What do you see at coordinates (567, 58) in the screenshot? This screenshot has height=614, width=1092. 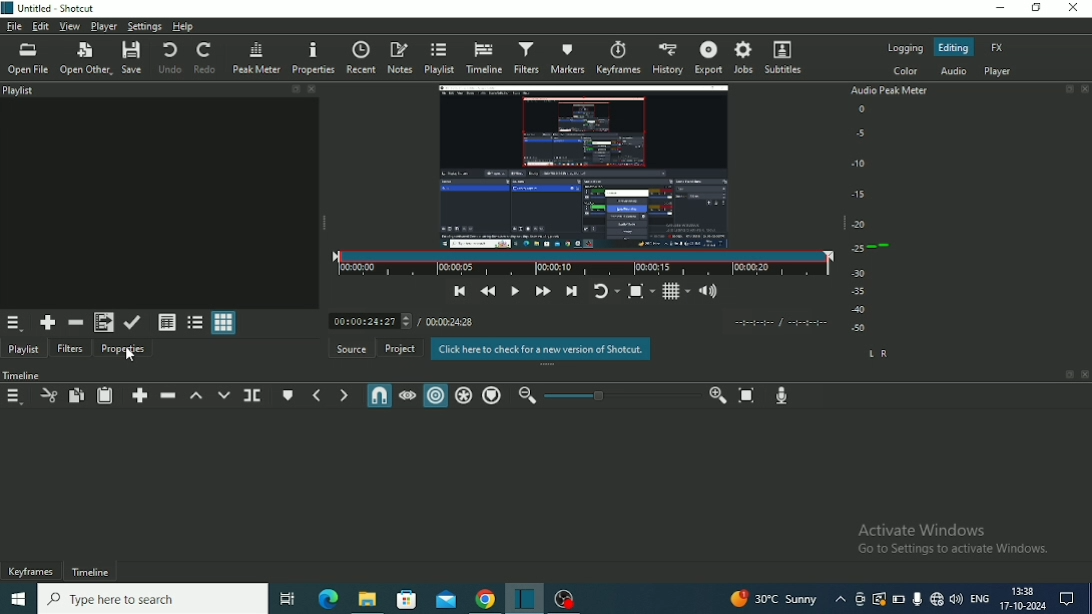 I see `Markers` at bounding box center [567, 58].